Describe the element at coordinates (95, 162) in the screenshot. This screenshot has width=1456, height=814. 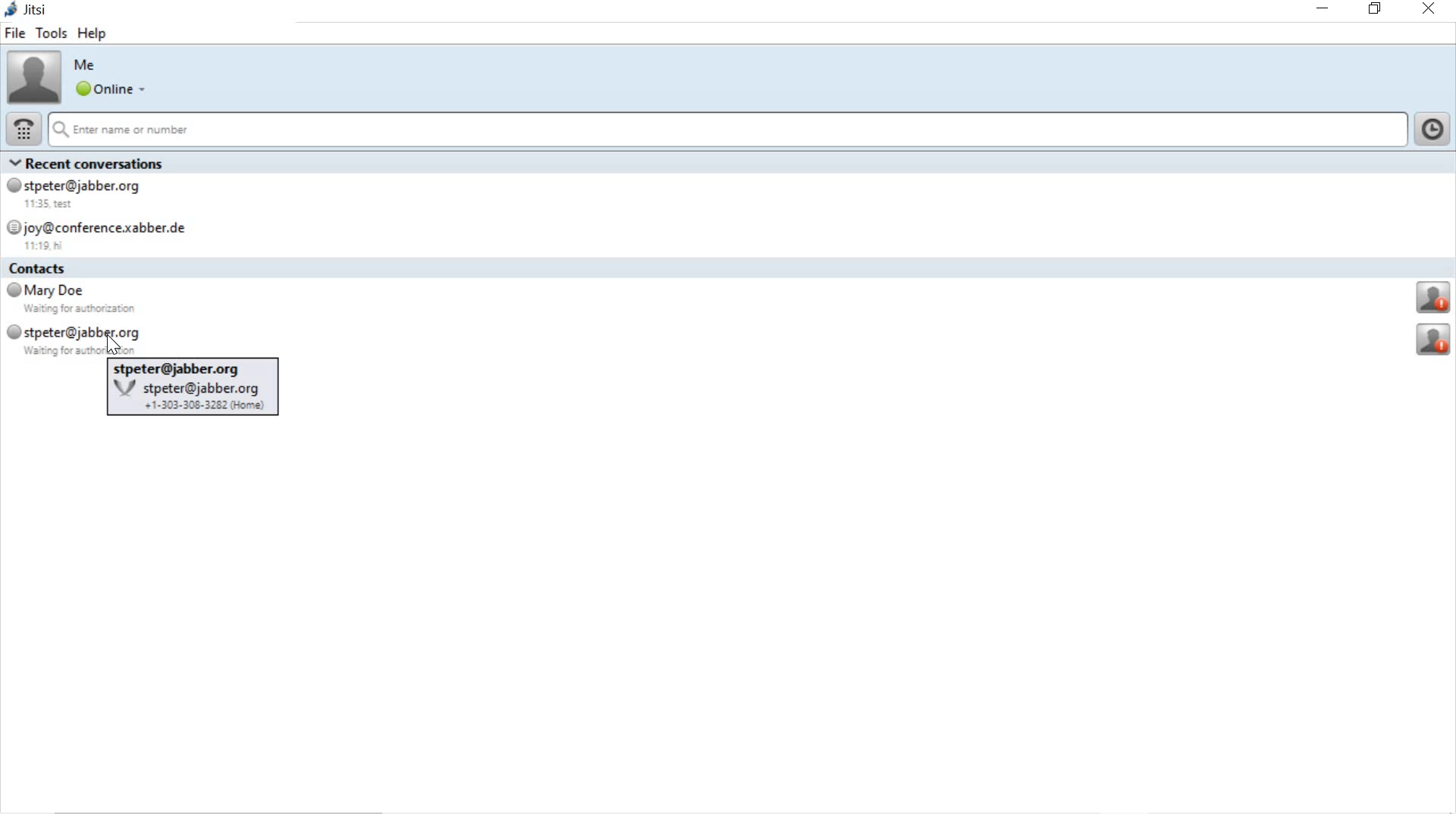
I see `Recent conversations` at that location.